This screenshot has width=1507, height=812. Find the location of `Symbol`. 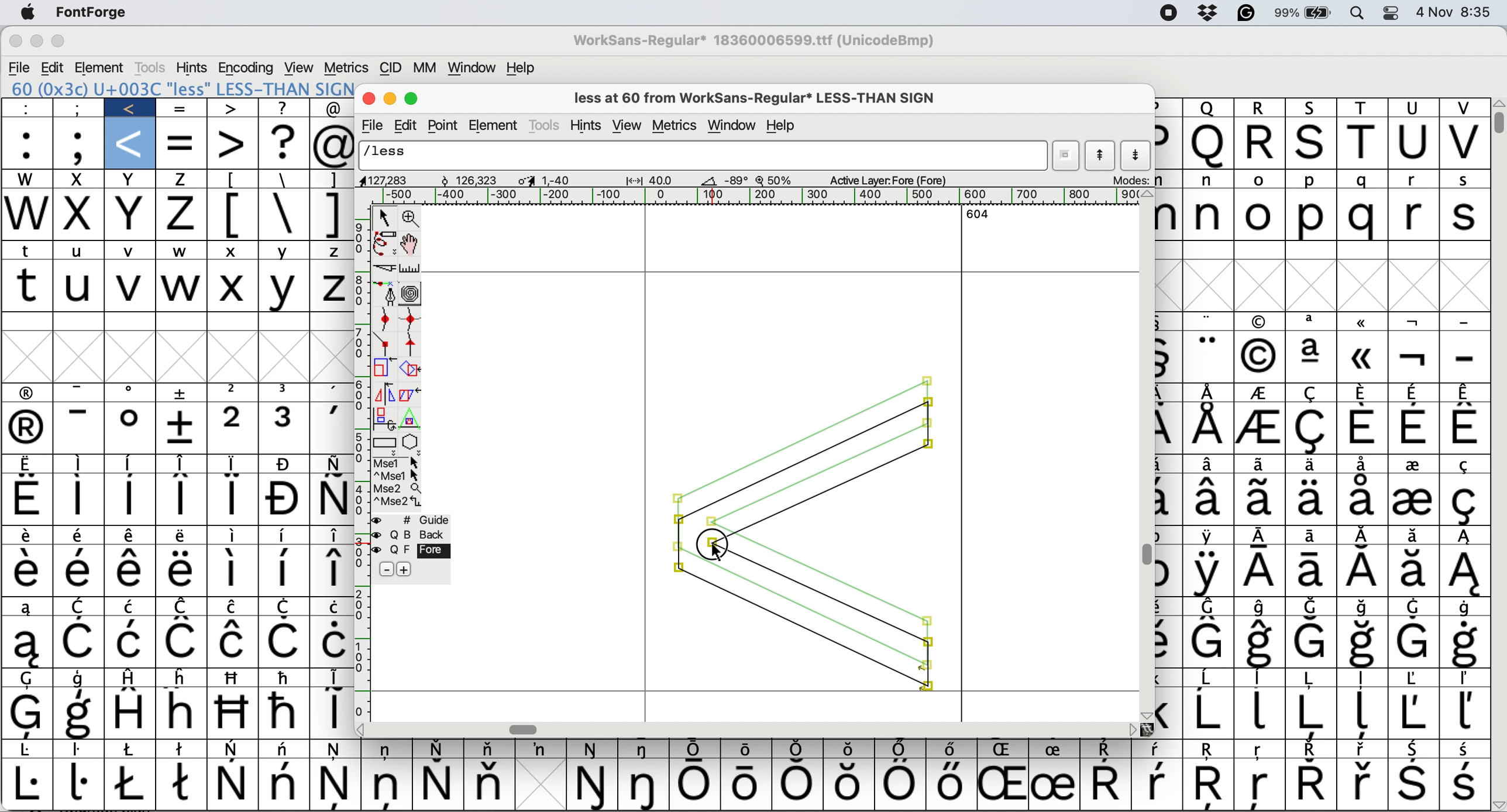

Symbol is located at coordinates (440, 748).